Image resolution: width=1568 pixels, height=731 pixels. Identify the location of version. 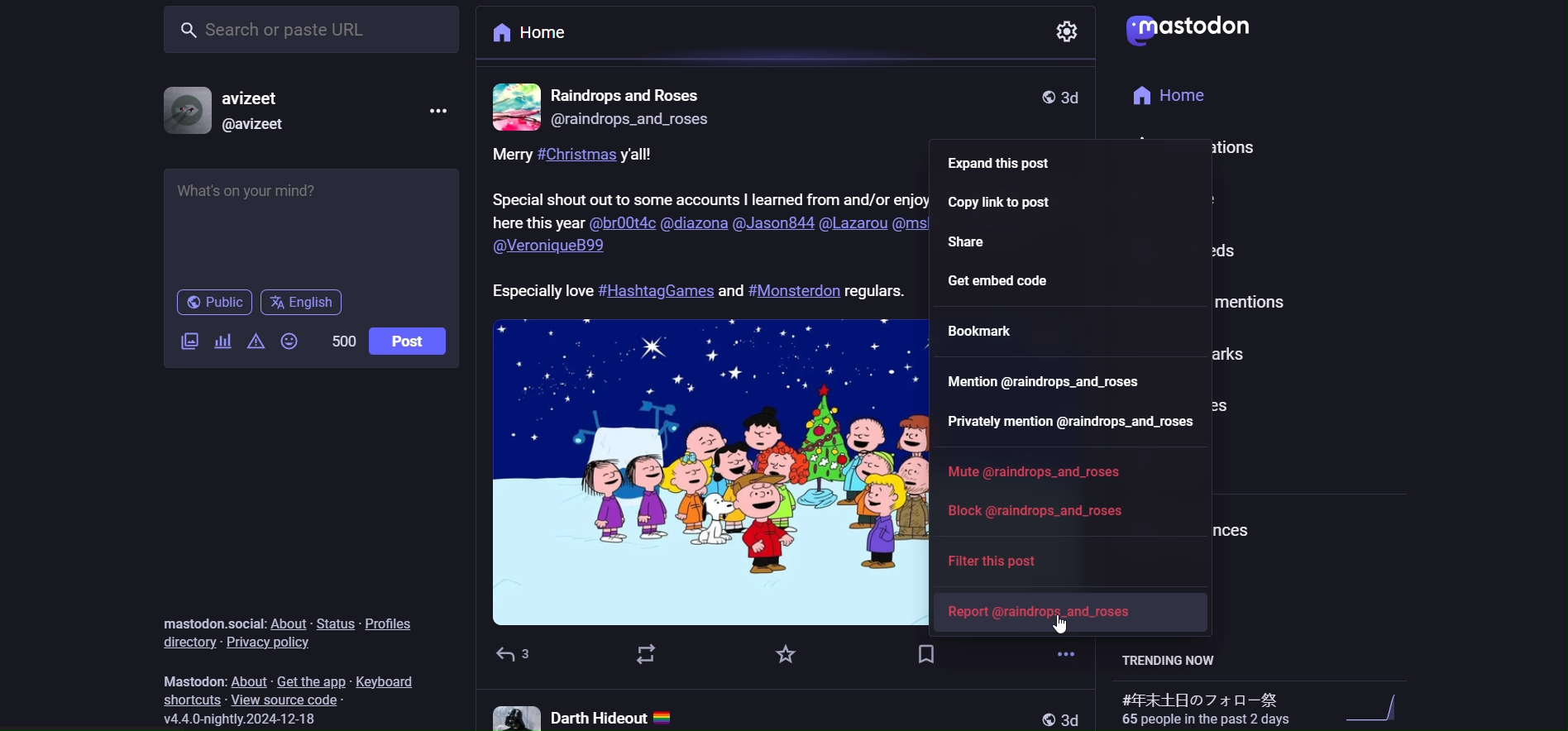
(246, 719).